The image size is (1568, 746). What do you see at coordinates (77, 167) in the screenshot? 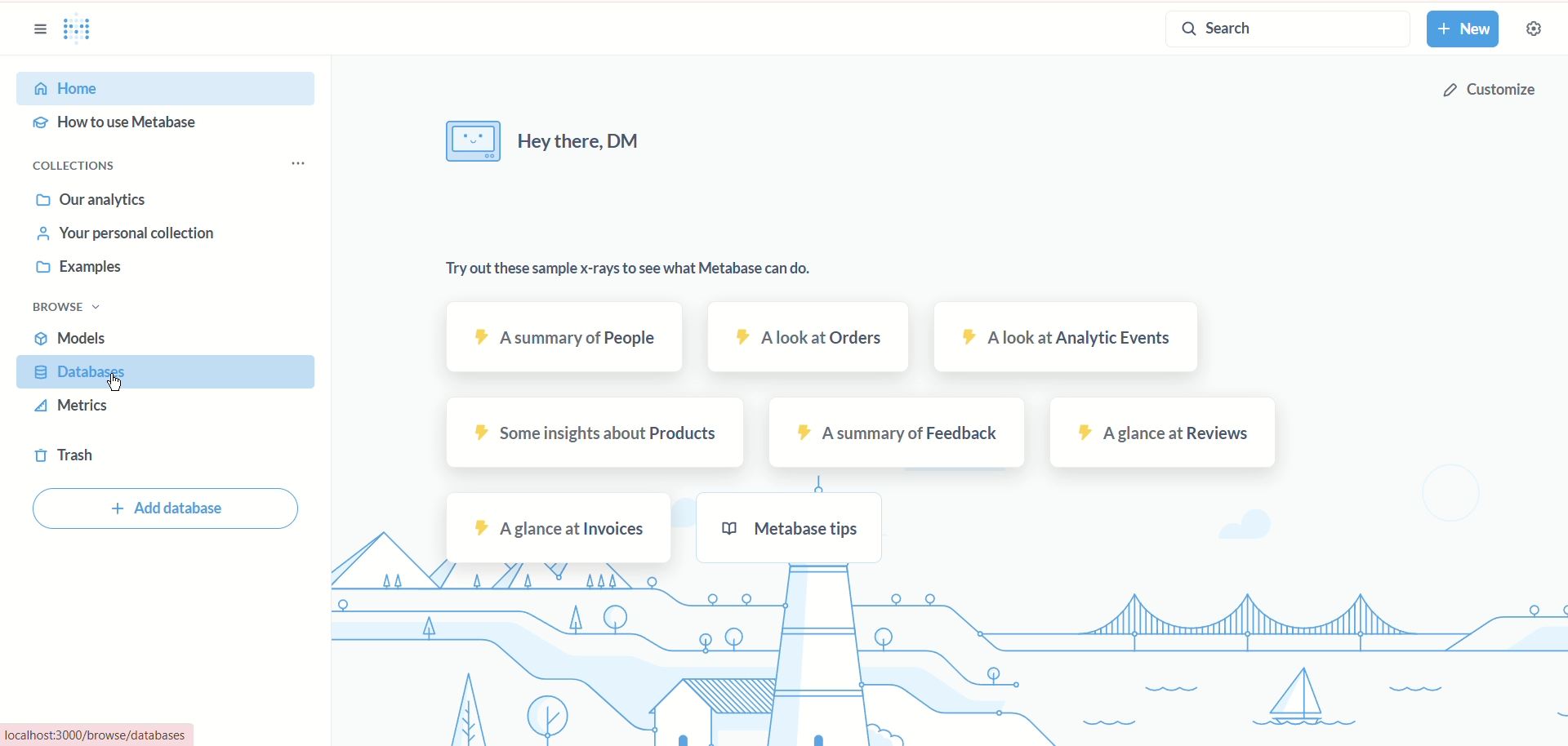
I see `collections` at bounding box center [77, 167].